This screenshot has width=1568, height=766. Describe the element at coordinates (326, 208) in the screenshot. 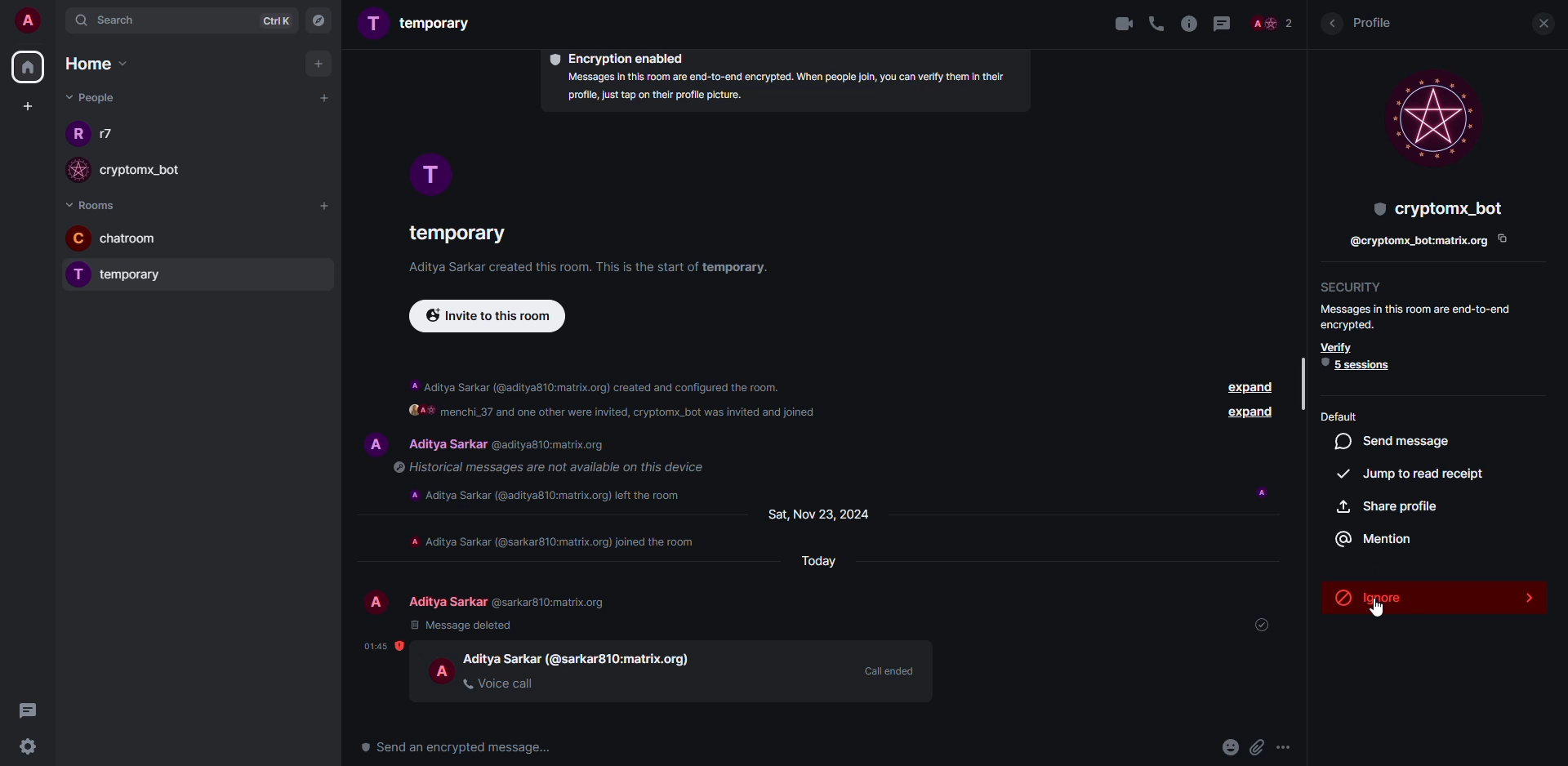

I see `add` at that location.